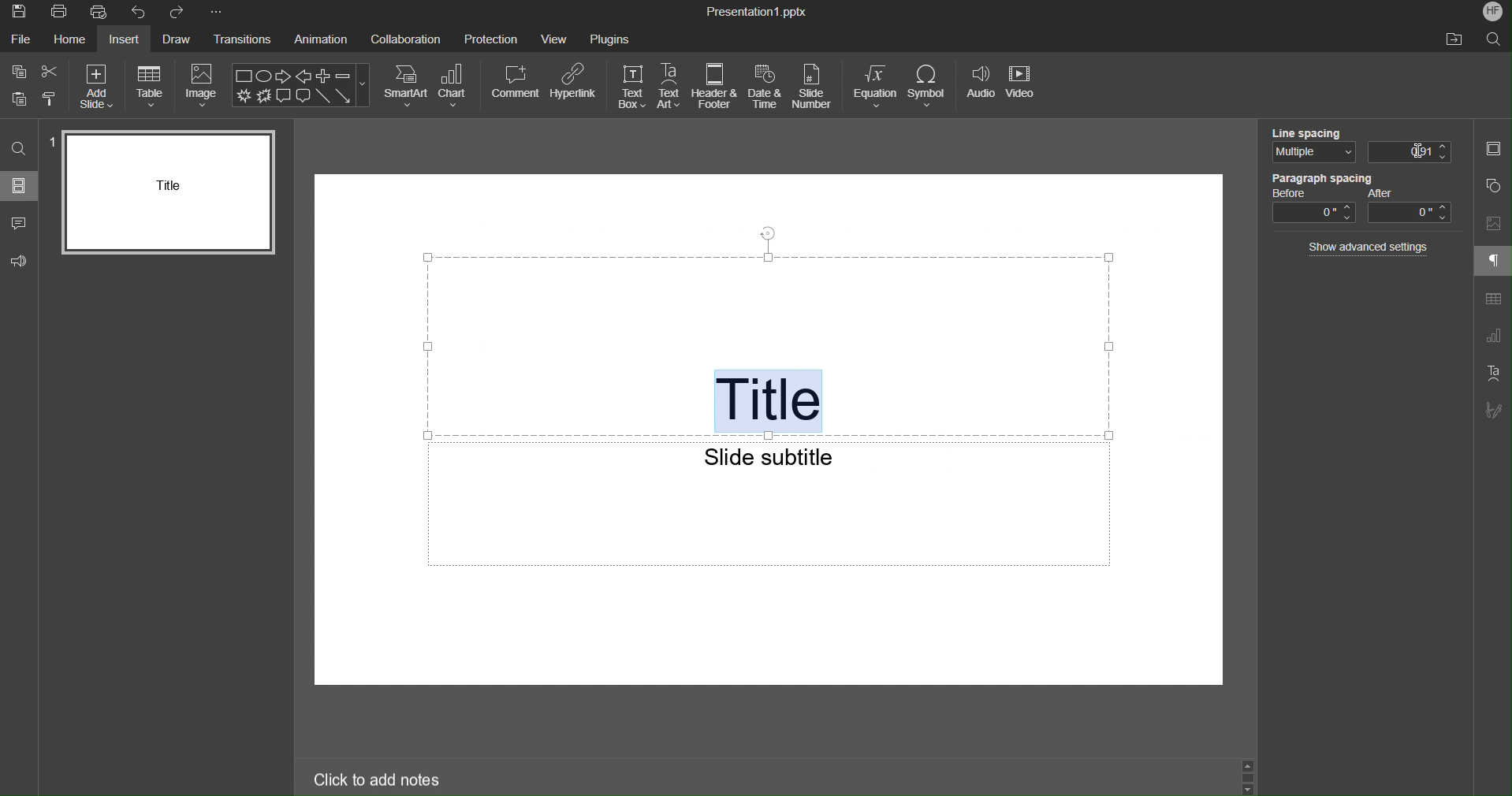 This screenshot has height=796, width=1512. I want to click on TextBox, so click(632, 86).